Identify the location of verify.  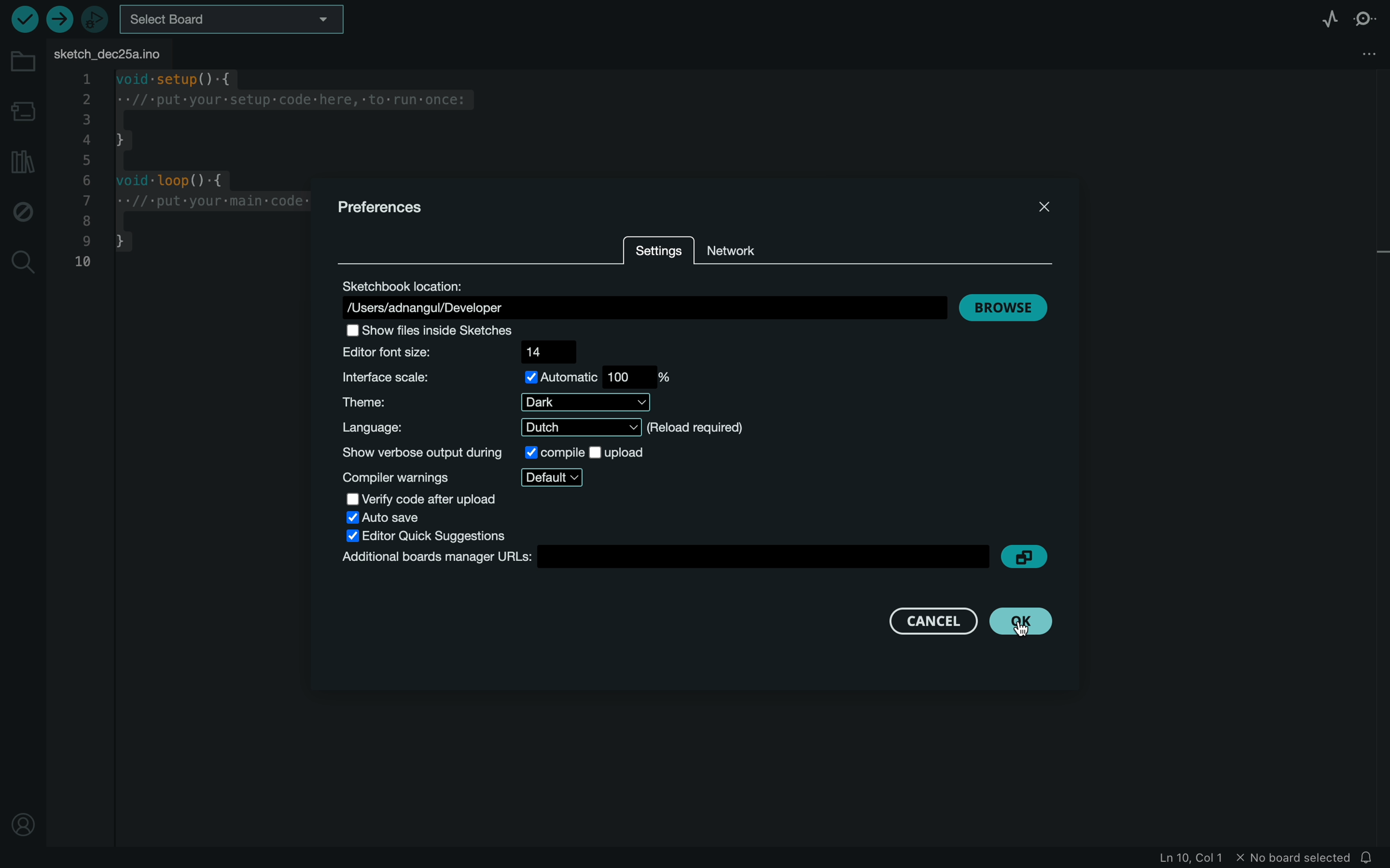
(25, 19).